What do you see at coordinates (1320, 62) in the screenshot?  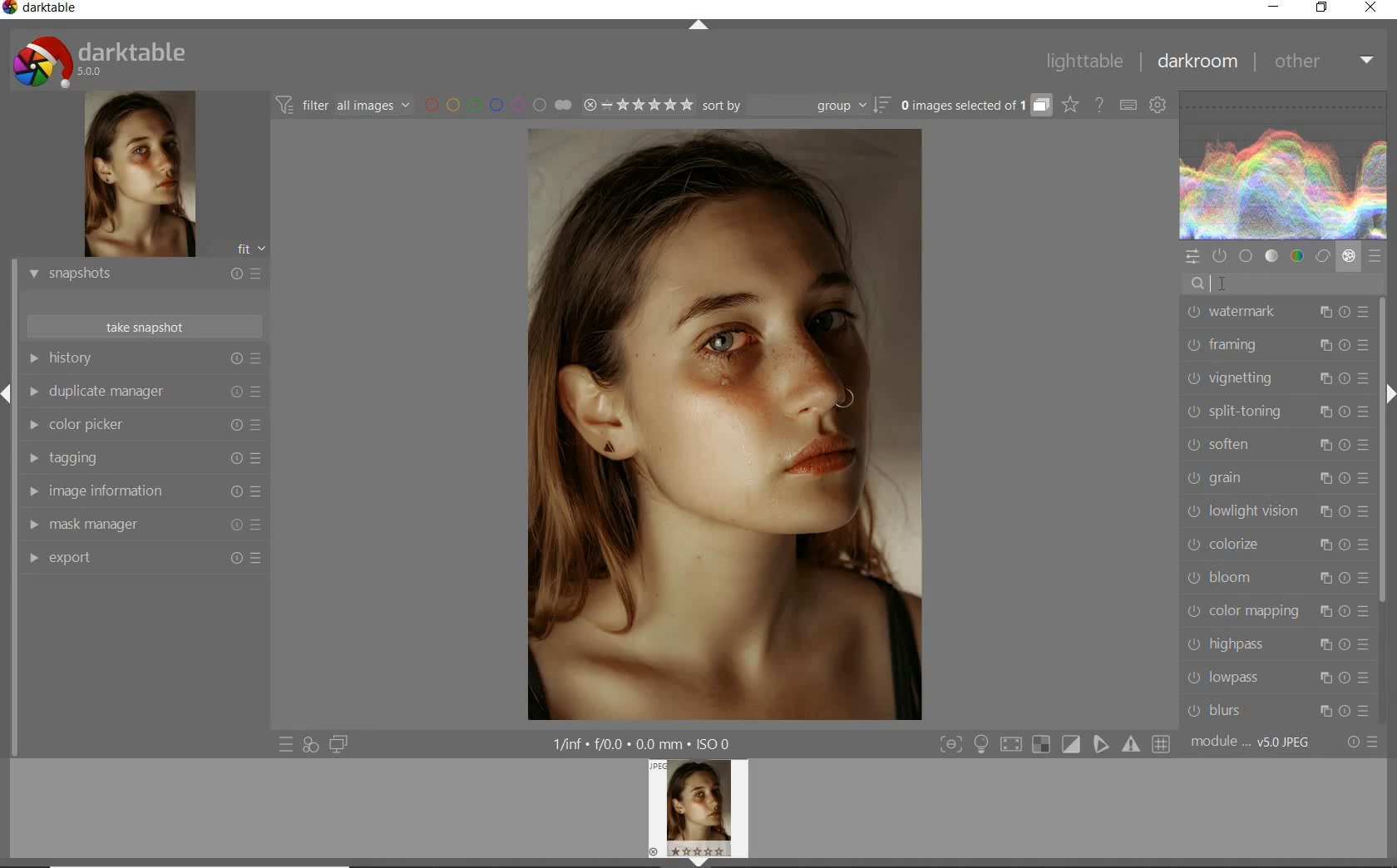 I see `other` at bounding box center [1320, 62].